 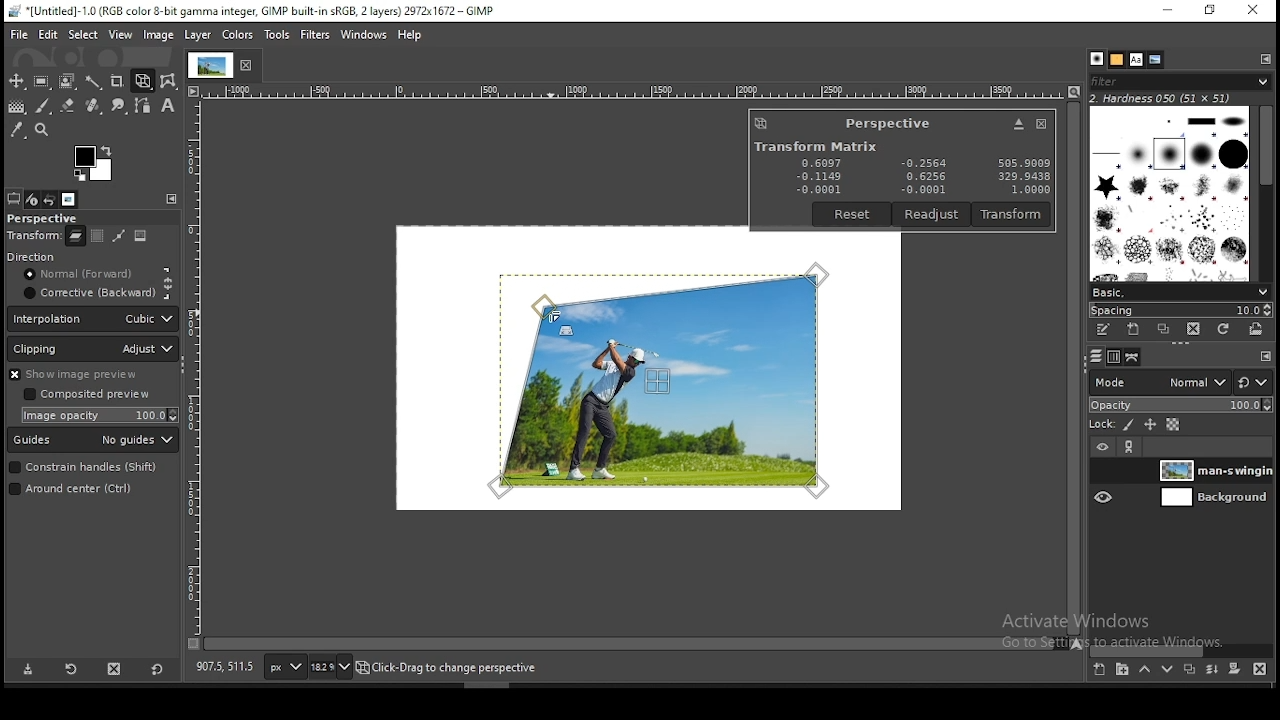 I want to click on -0.2564, so click(x=922, y=164).